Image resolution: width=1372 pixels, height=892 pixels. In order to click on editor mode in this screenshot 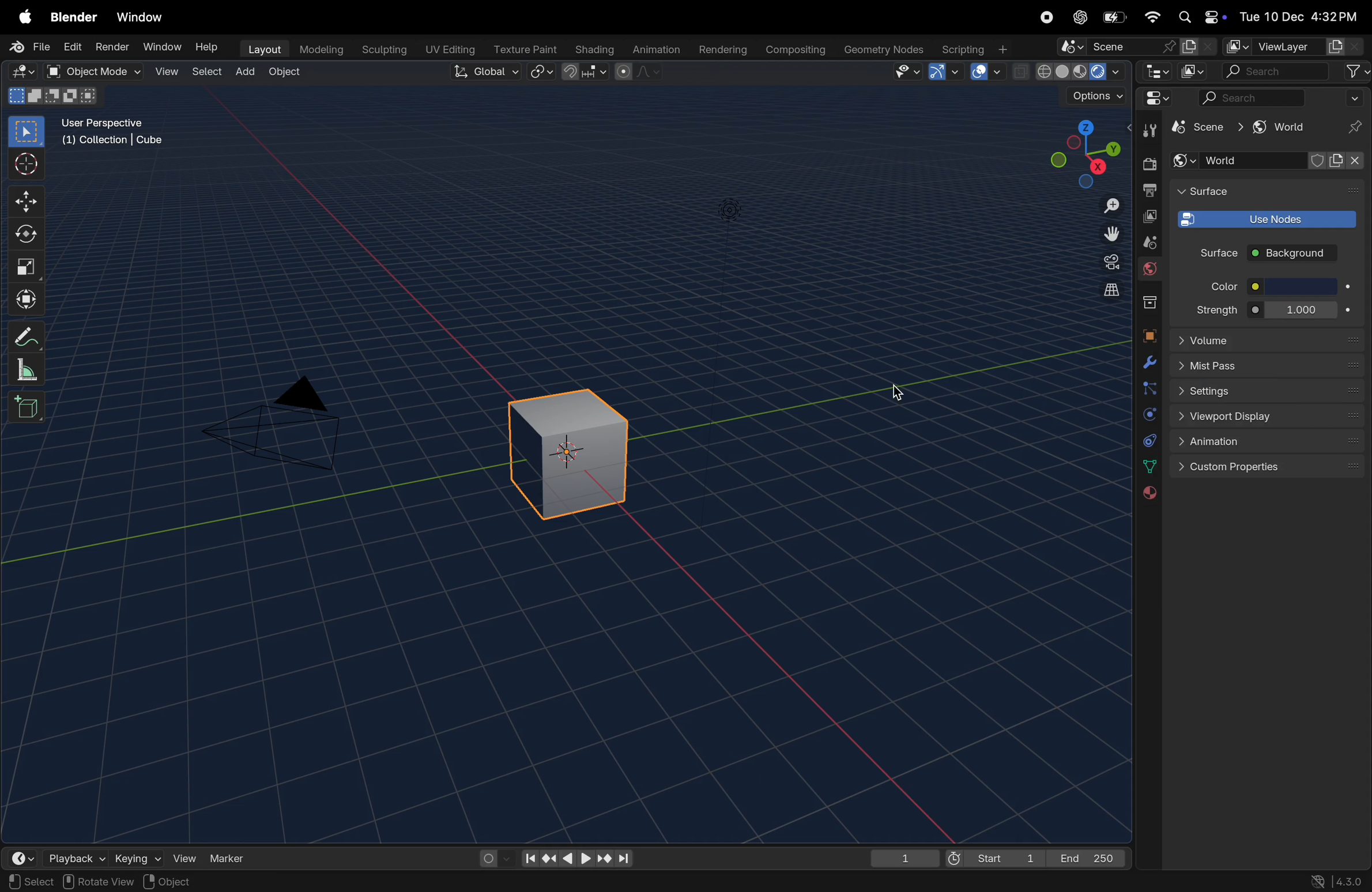, I will do `click(1154, 71)`.